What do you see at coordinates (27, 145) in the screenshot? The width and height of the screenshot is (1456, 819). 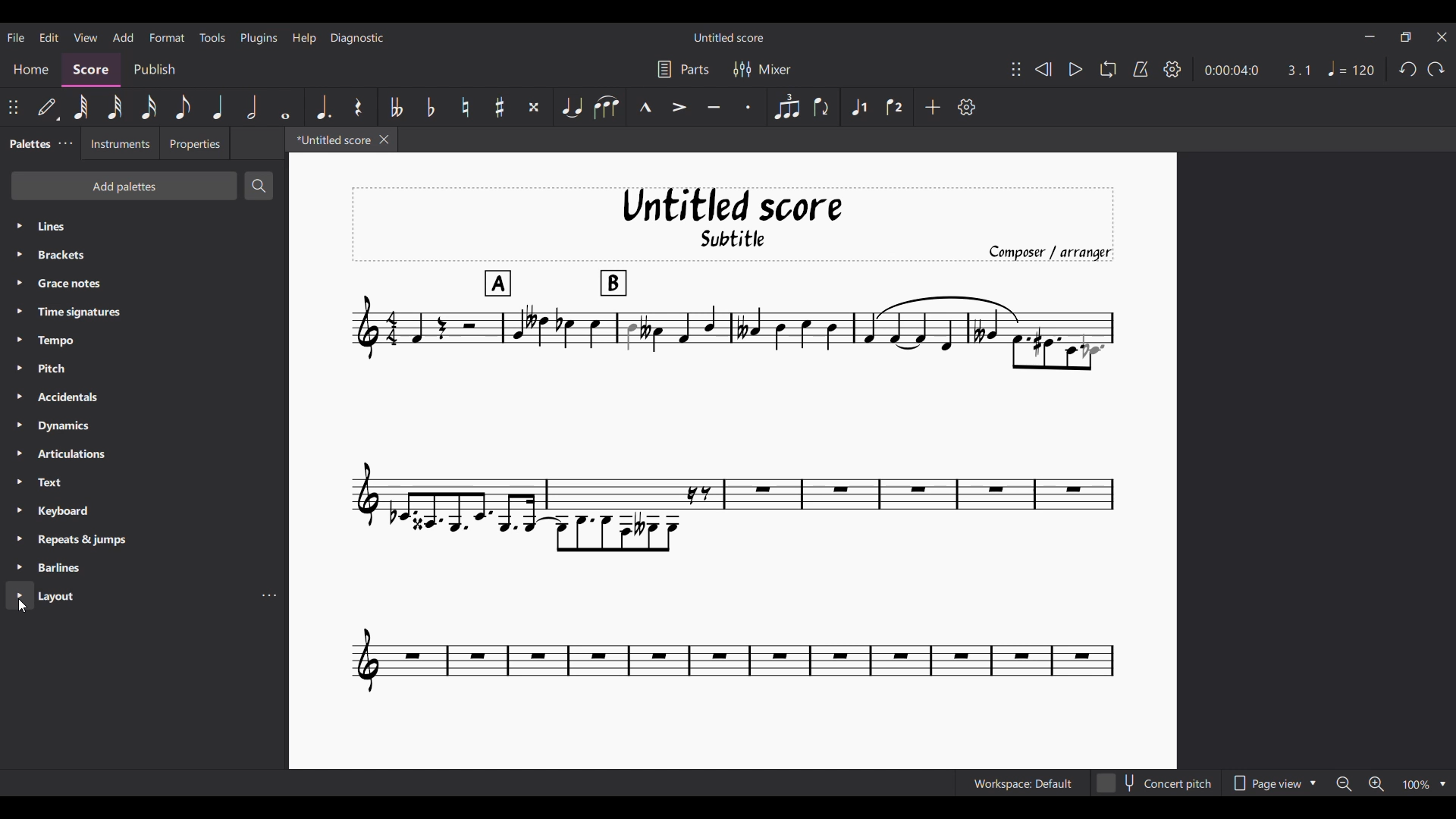 I see `Palettes` at bounding box center [27, 145].